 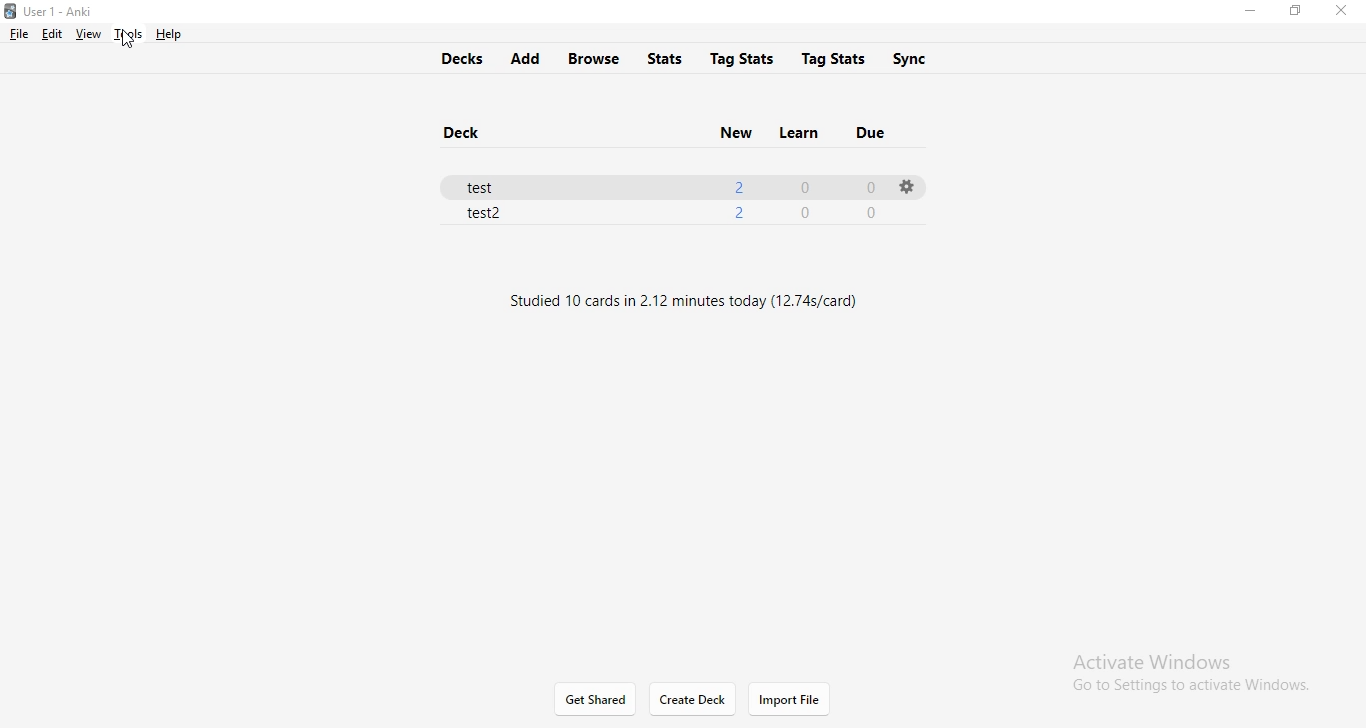 I want to click on Anki, so click(x=58, y=12).